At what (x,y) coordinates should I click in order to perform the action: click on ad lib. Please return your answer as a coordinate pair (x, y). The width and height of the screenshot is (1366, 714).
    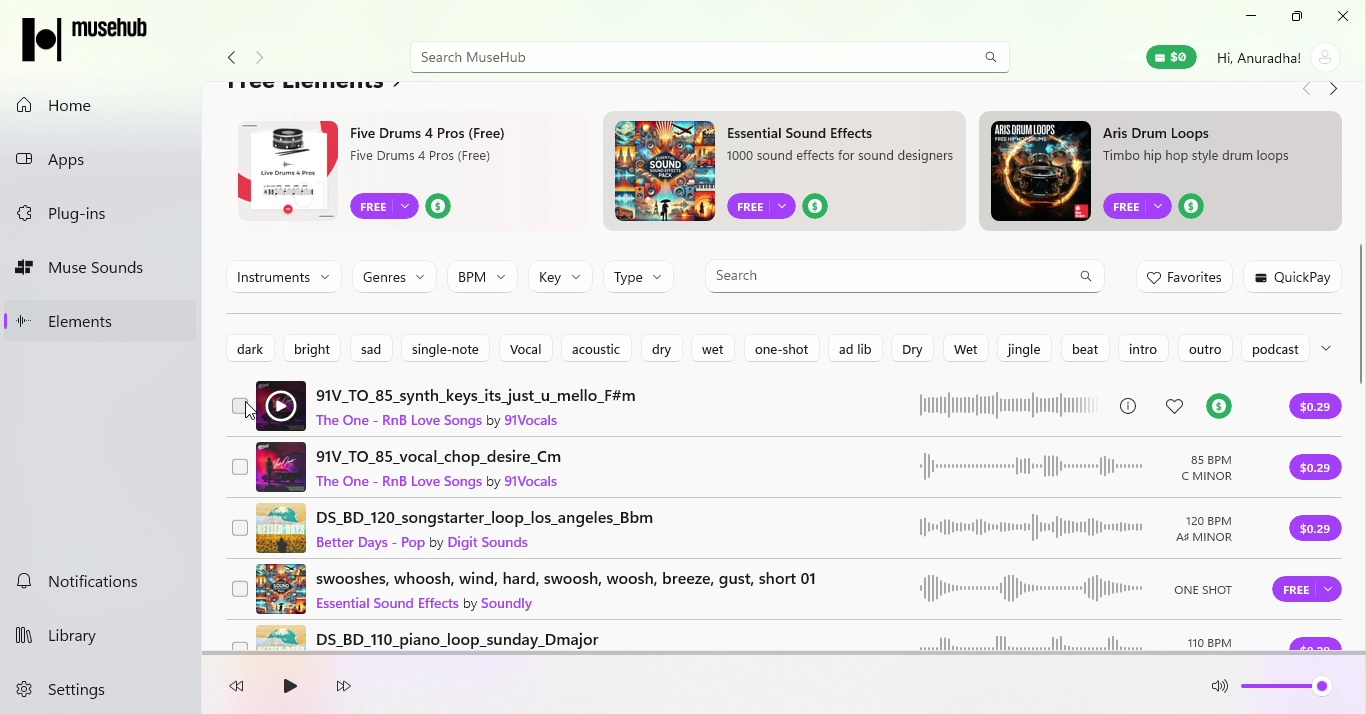
    Looking at the image, I should click on (852, 347).